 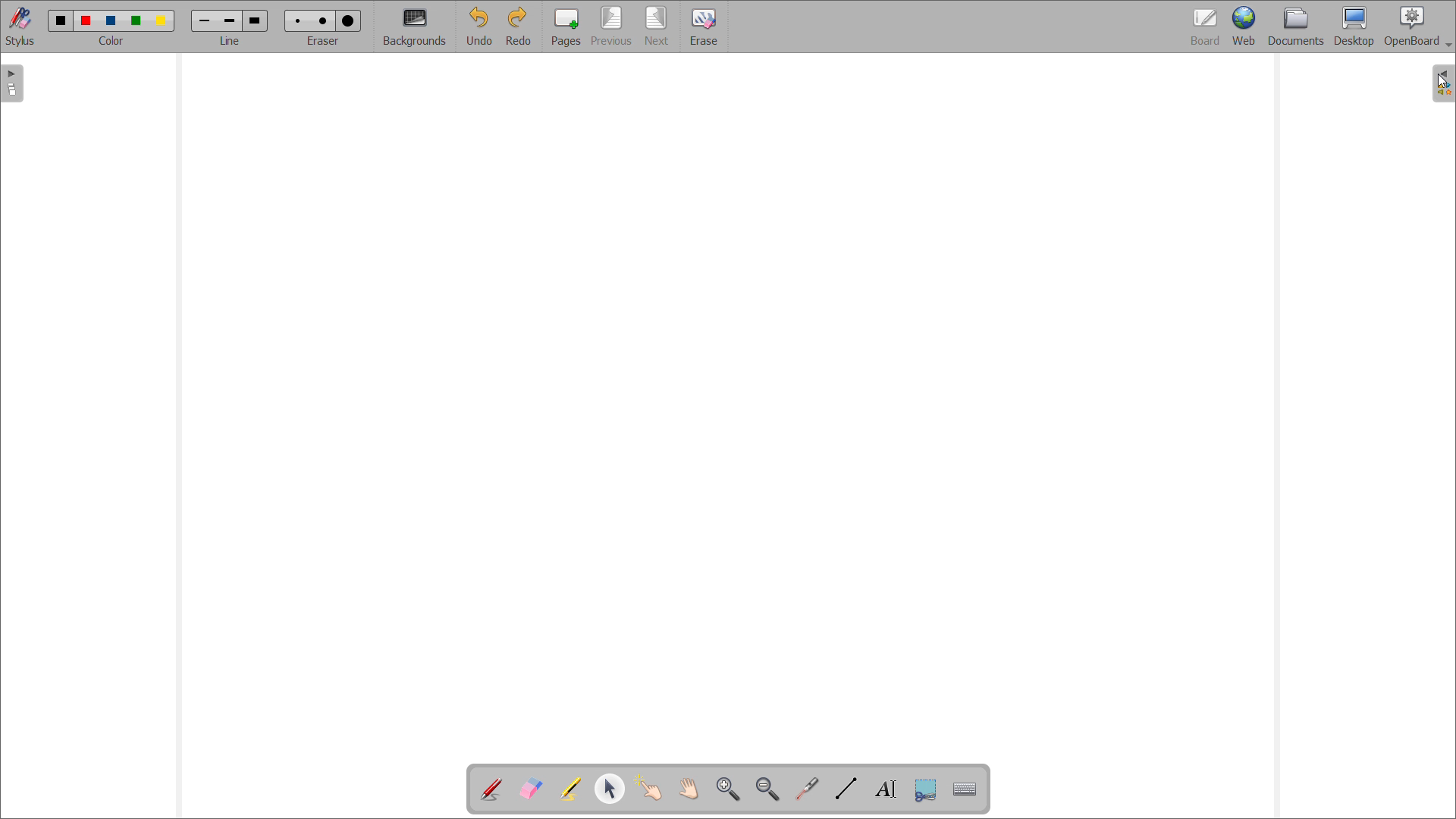 What do you see at coordinates (609, 789) in the screenshot?
I see `select and modify object` at bounding box center [609, 789].